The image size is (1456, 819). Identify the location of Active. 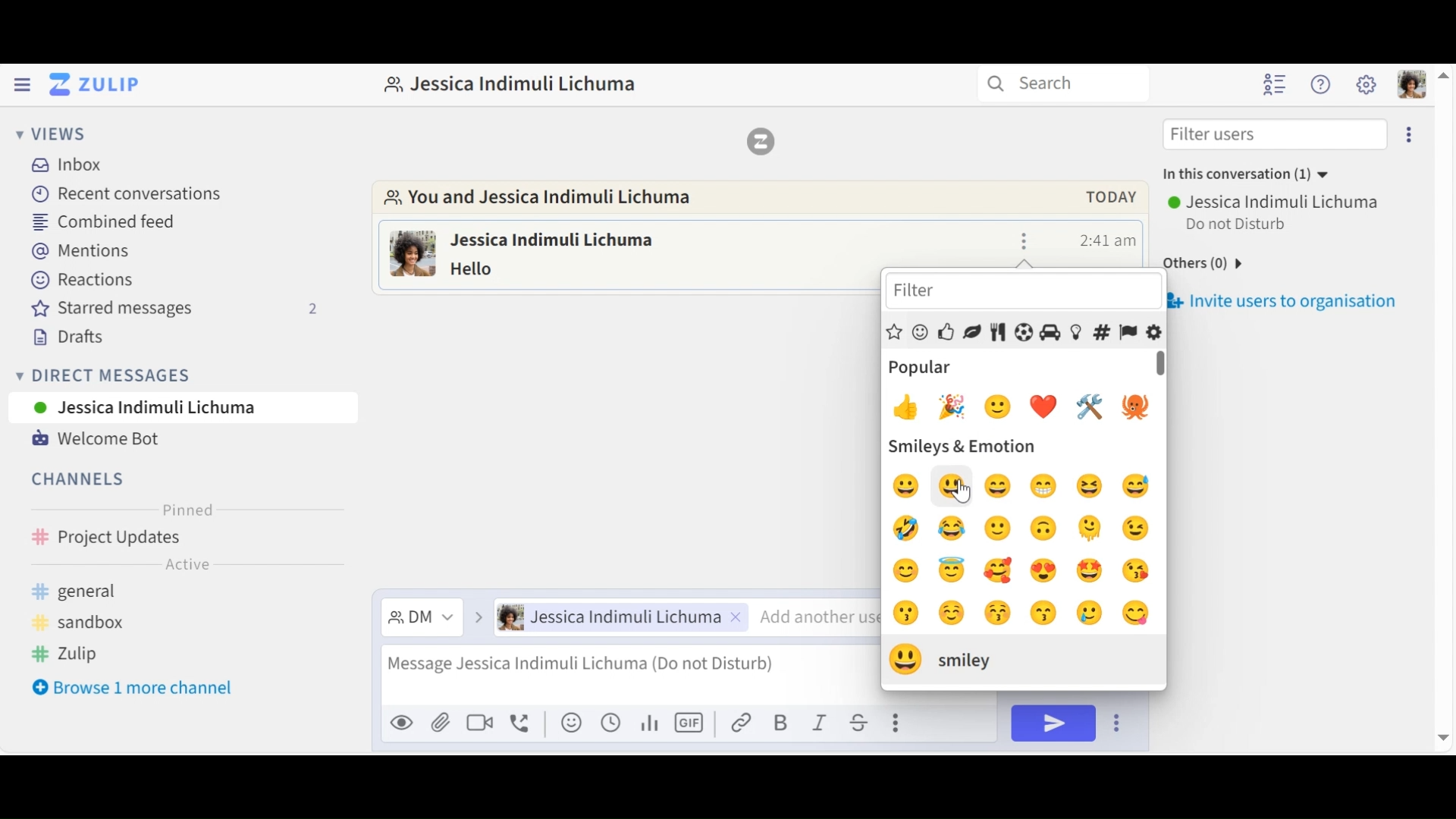
(186, 567).